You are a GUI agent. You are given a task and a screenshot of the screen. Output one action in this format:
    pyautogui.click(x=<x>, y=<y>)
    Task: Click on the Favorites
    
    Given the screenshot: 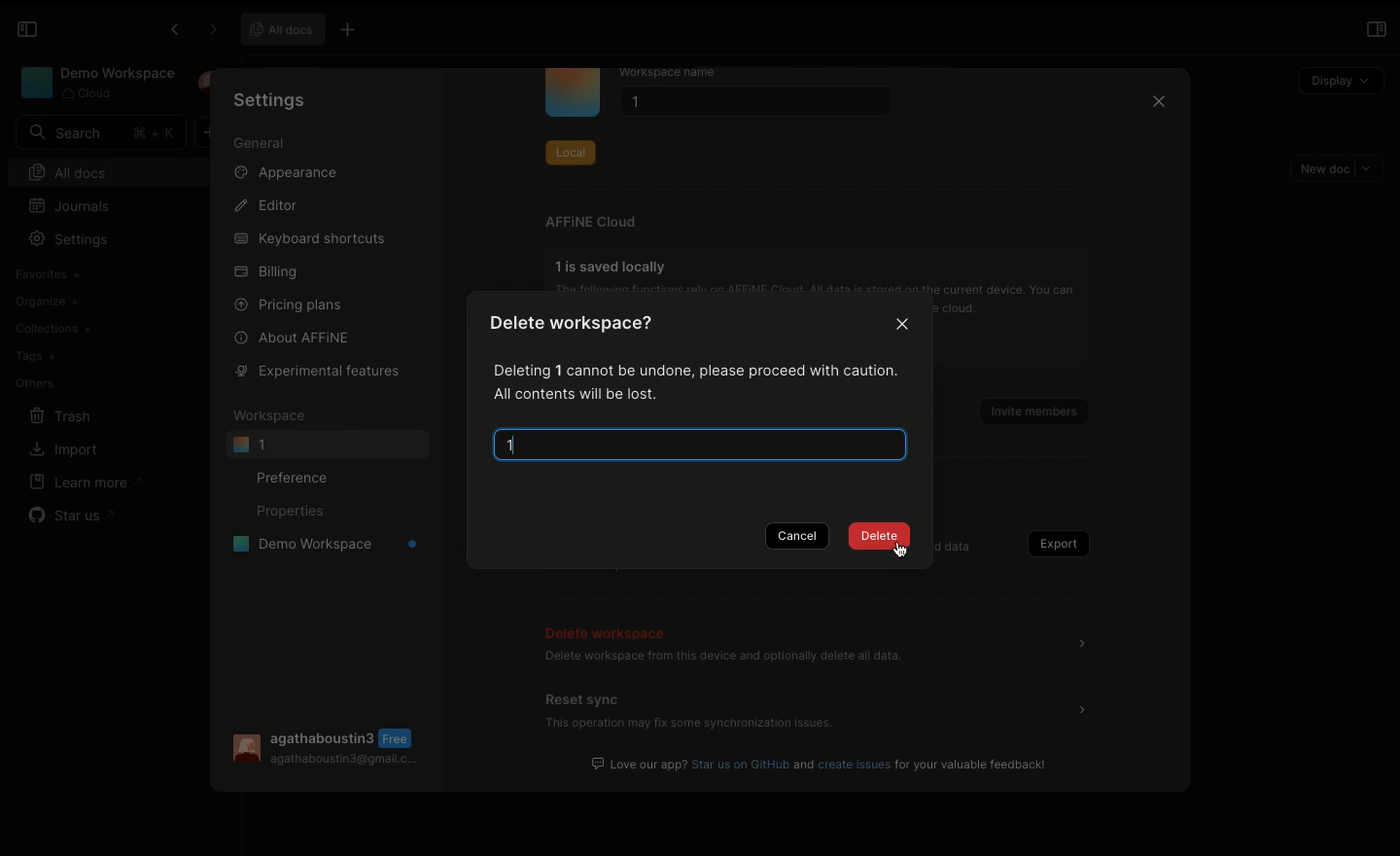 What is the action you would take?
    pyautogui.click(x=46, y=274)
    